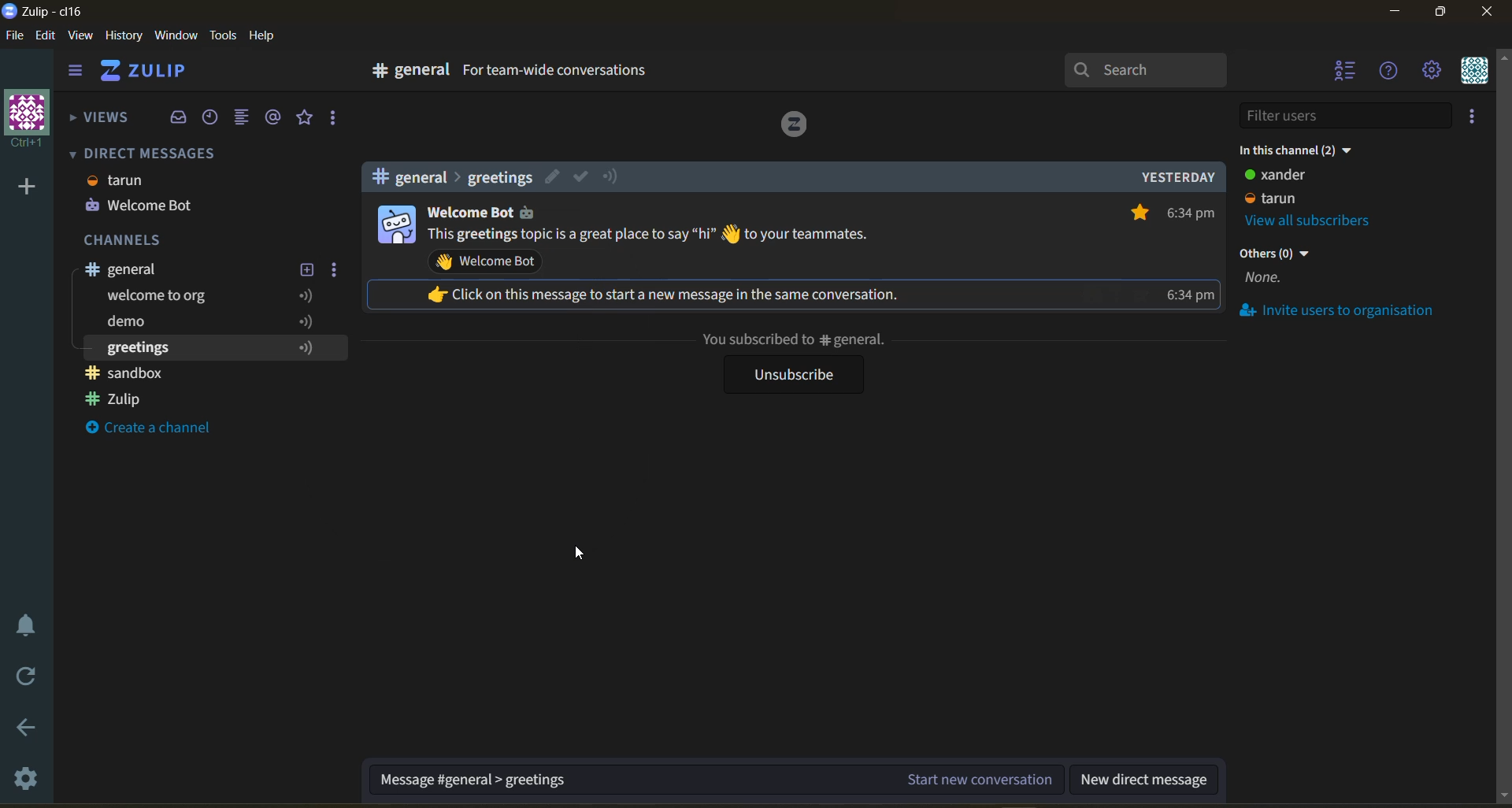  What do you see at coordinates (1177, 176) in the screenshot?
I see `yesterday` at bounding box center [1177, 176].